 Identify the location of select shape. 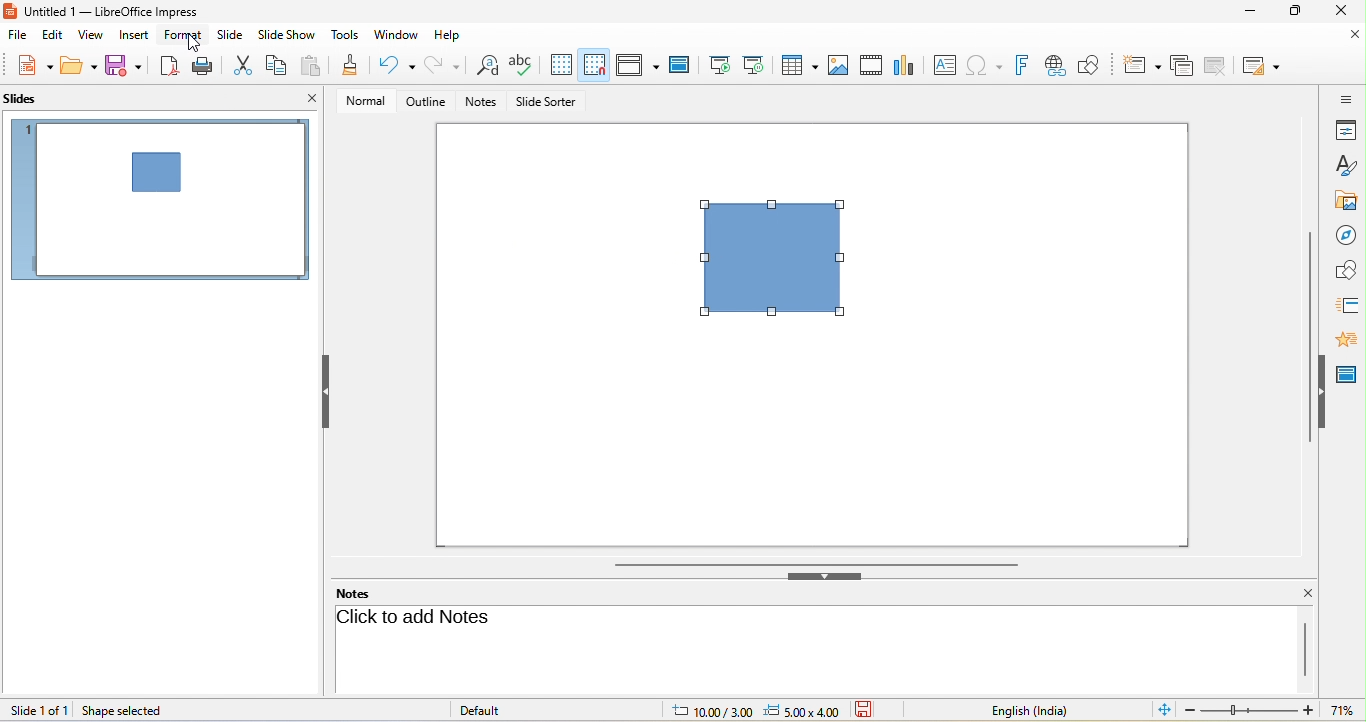
(782, 269).